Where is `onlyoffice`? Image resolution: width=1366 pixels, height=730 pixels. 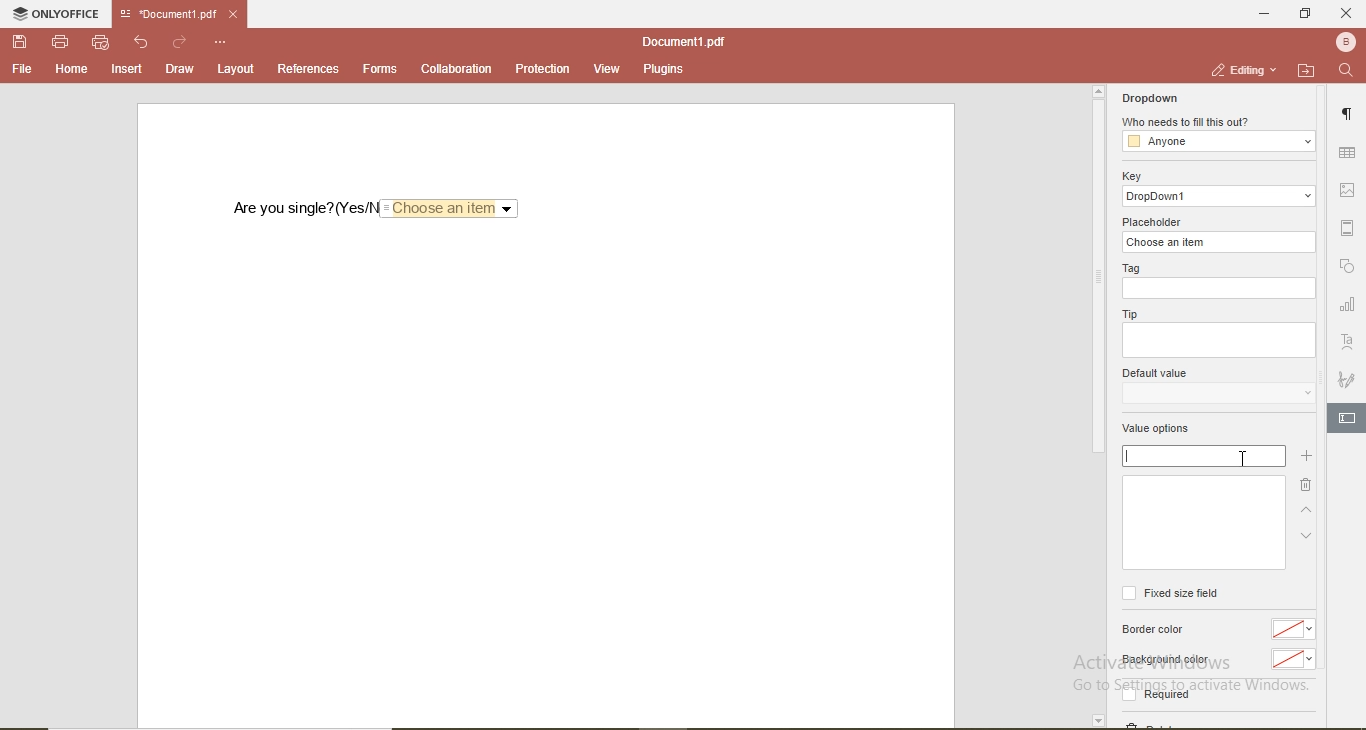 onlyoffice is located at coordinates (58, 13).